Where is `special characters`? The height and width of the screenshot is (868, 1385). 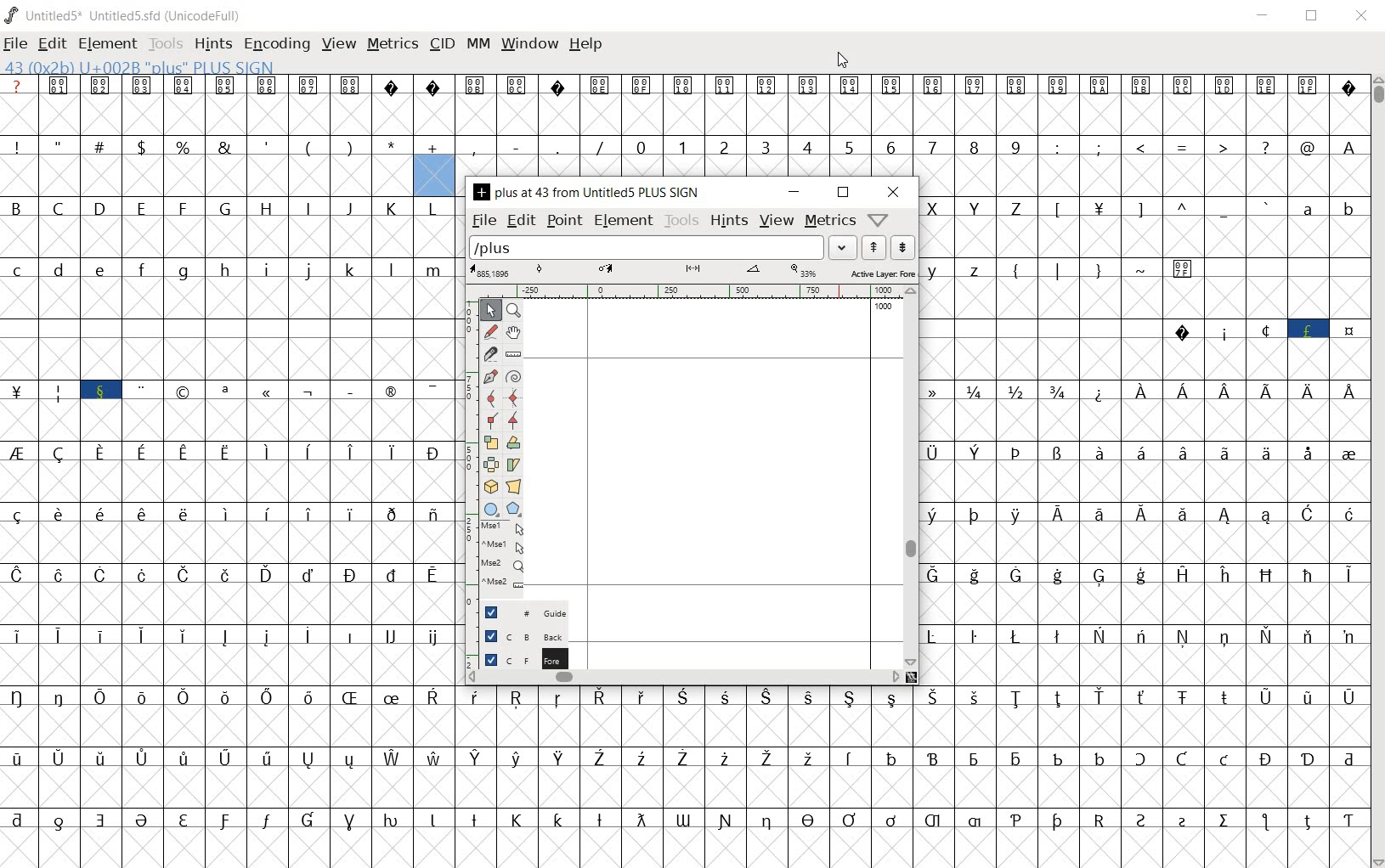 special characters is located at coordinates (82, 413).